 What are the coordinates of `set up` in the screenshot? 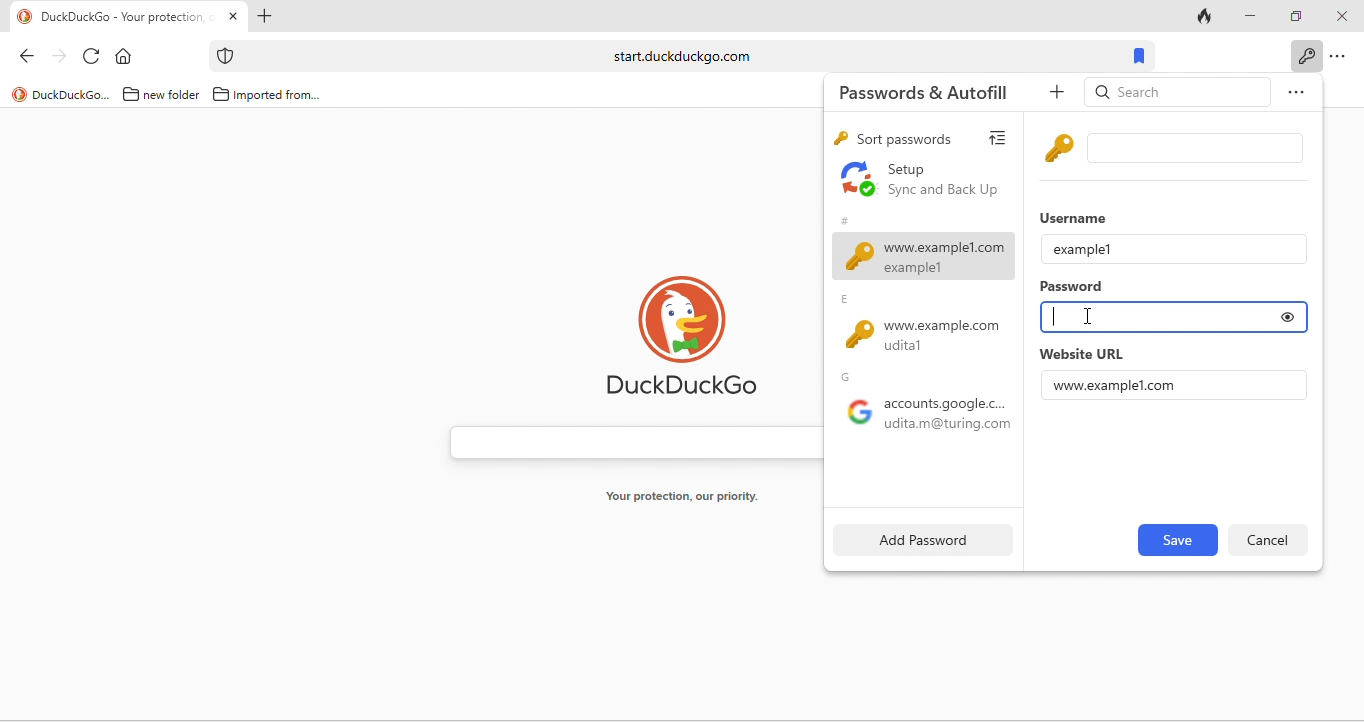 It's located at (922, 181).